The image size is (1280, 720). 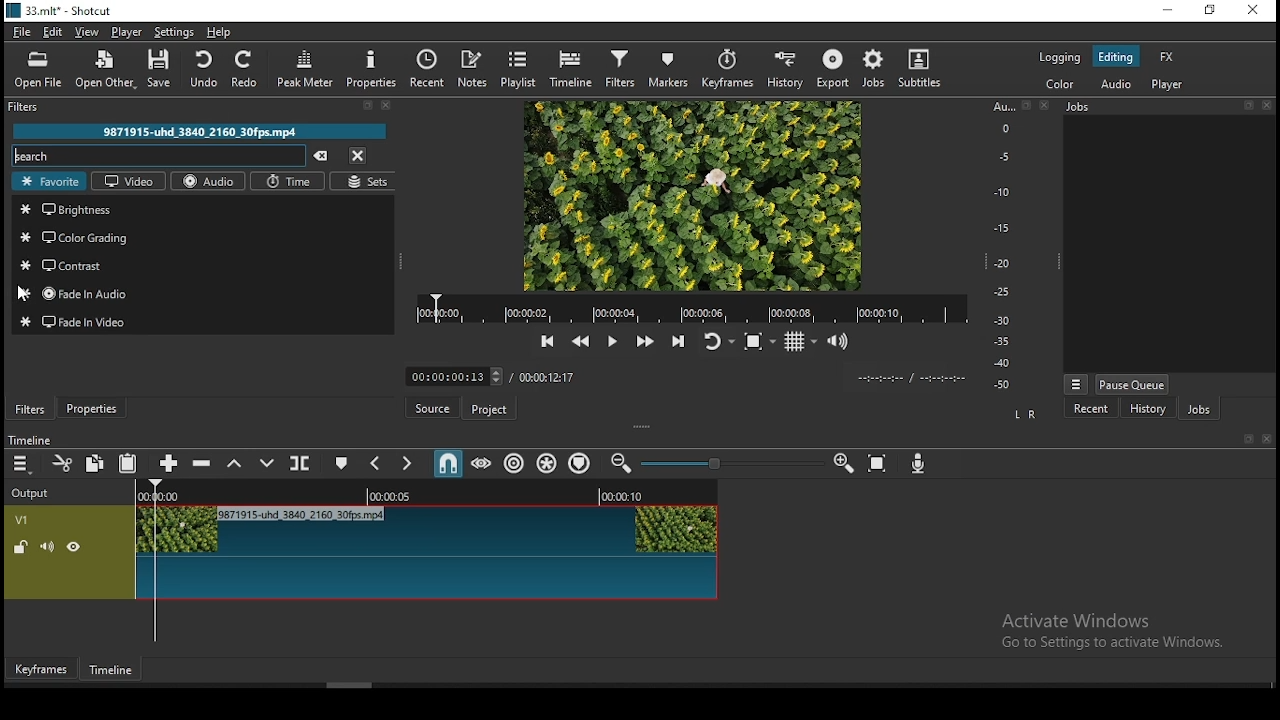 I want to click on -30, so click(x=1002, y=319).